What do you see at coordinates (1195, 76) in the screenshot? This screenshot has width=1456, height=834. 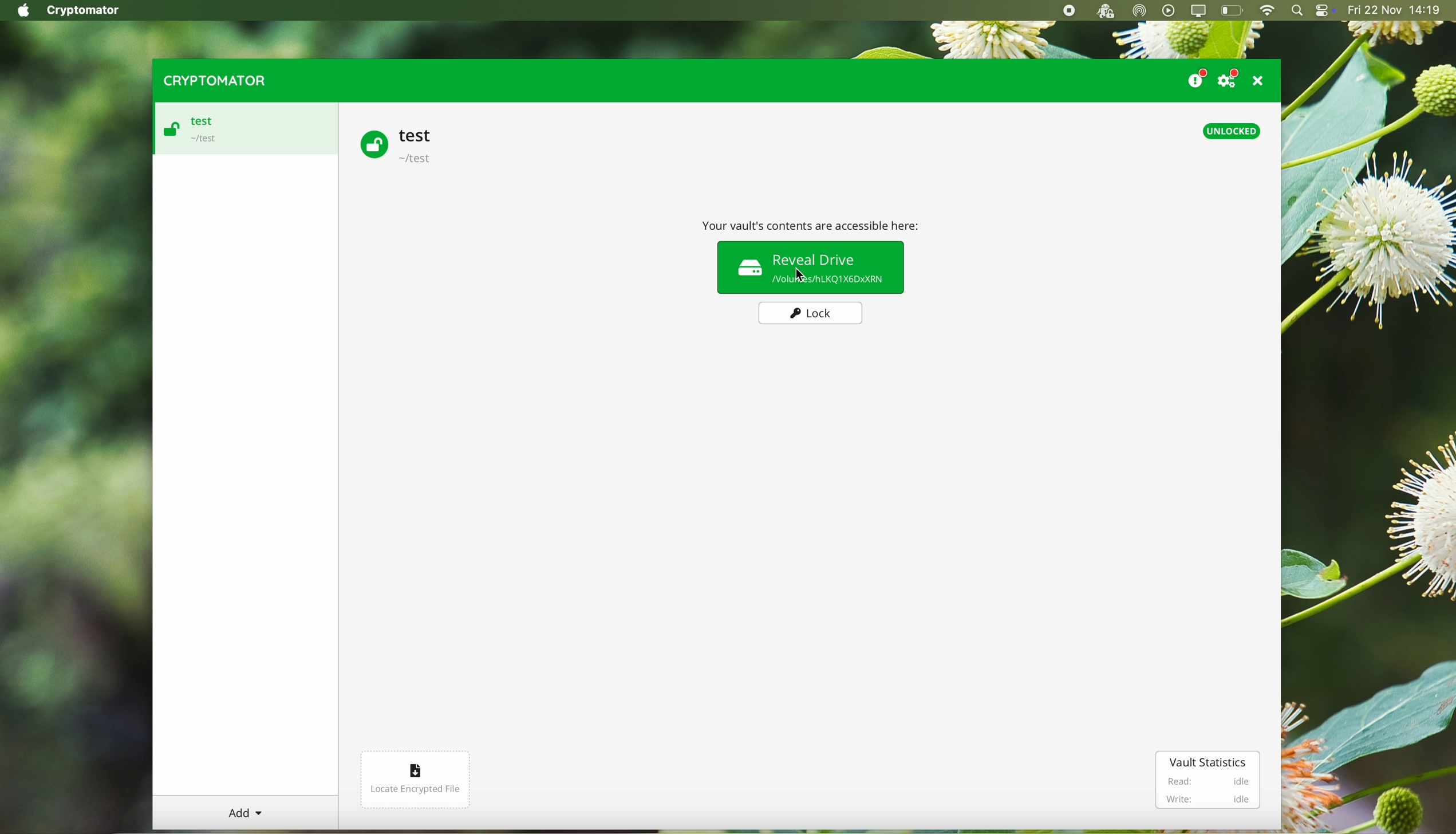 I see `donate` at bounding box center [1195, 76].